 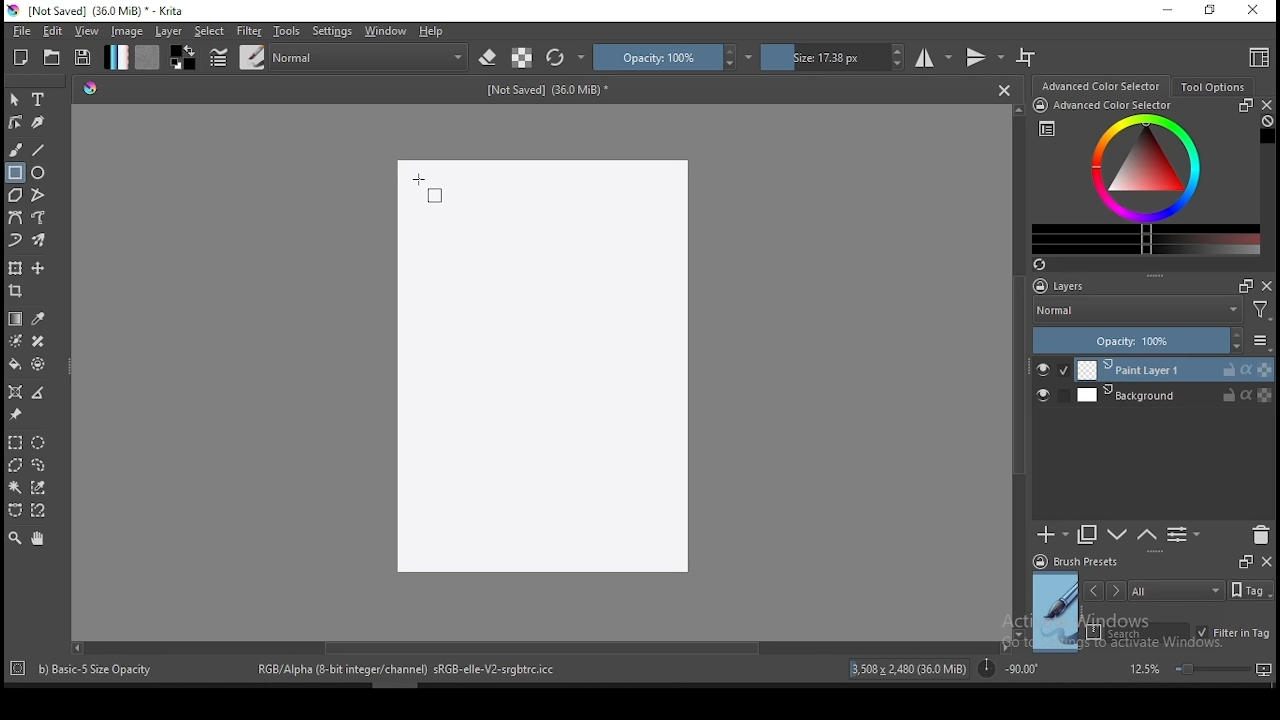 I want to click on bezier curve tool, so click(x=14, y=219).